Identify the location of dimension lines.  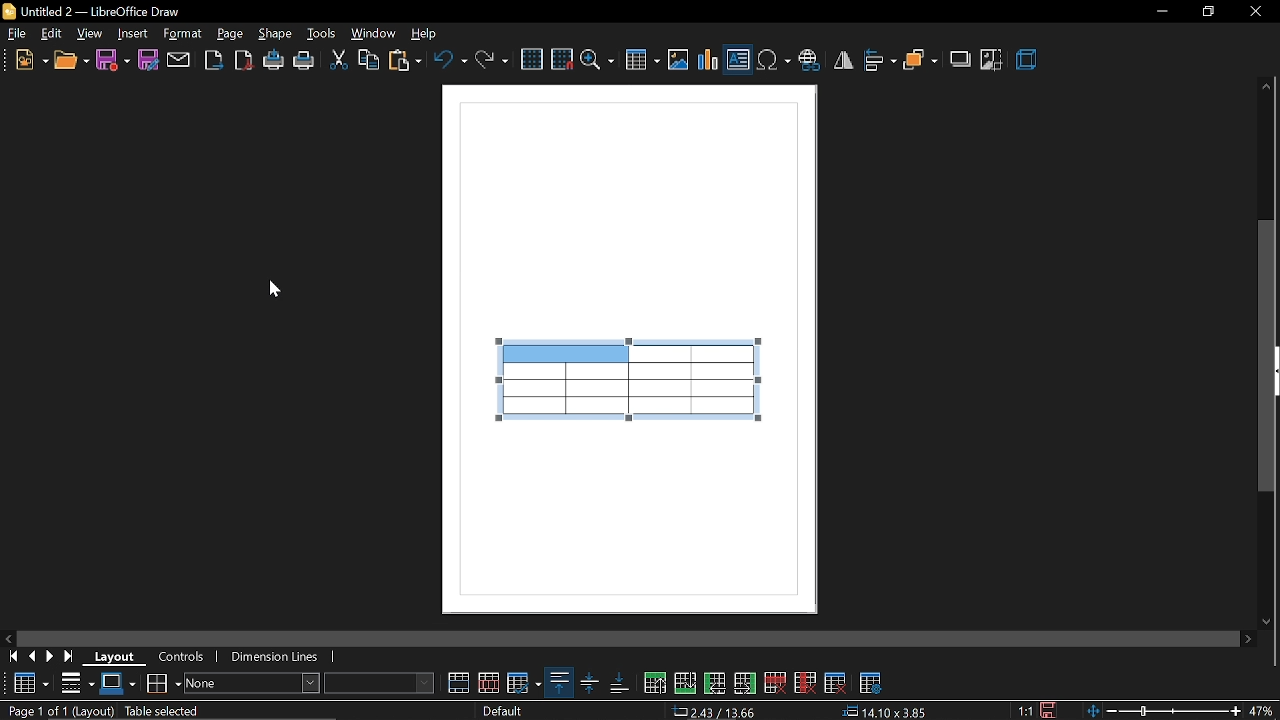
(279, 659).